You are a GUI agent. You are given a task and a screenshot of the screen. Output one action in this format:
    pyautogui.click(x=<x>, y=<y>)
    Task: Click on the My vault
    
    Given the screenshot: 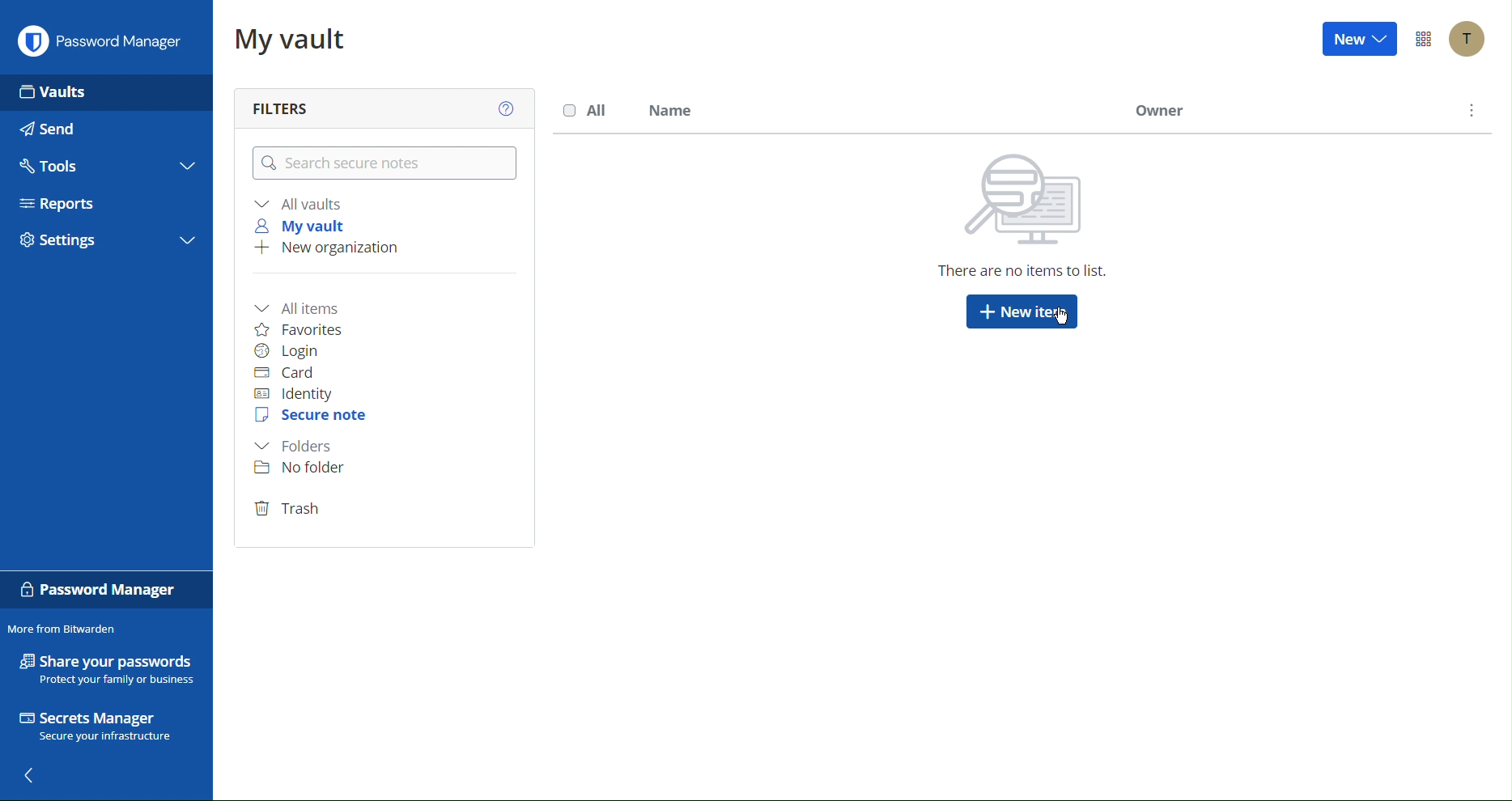 What is the action you would take?
    pyautogui.click(x=298, y=41)
    